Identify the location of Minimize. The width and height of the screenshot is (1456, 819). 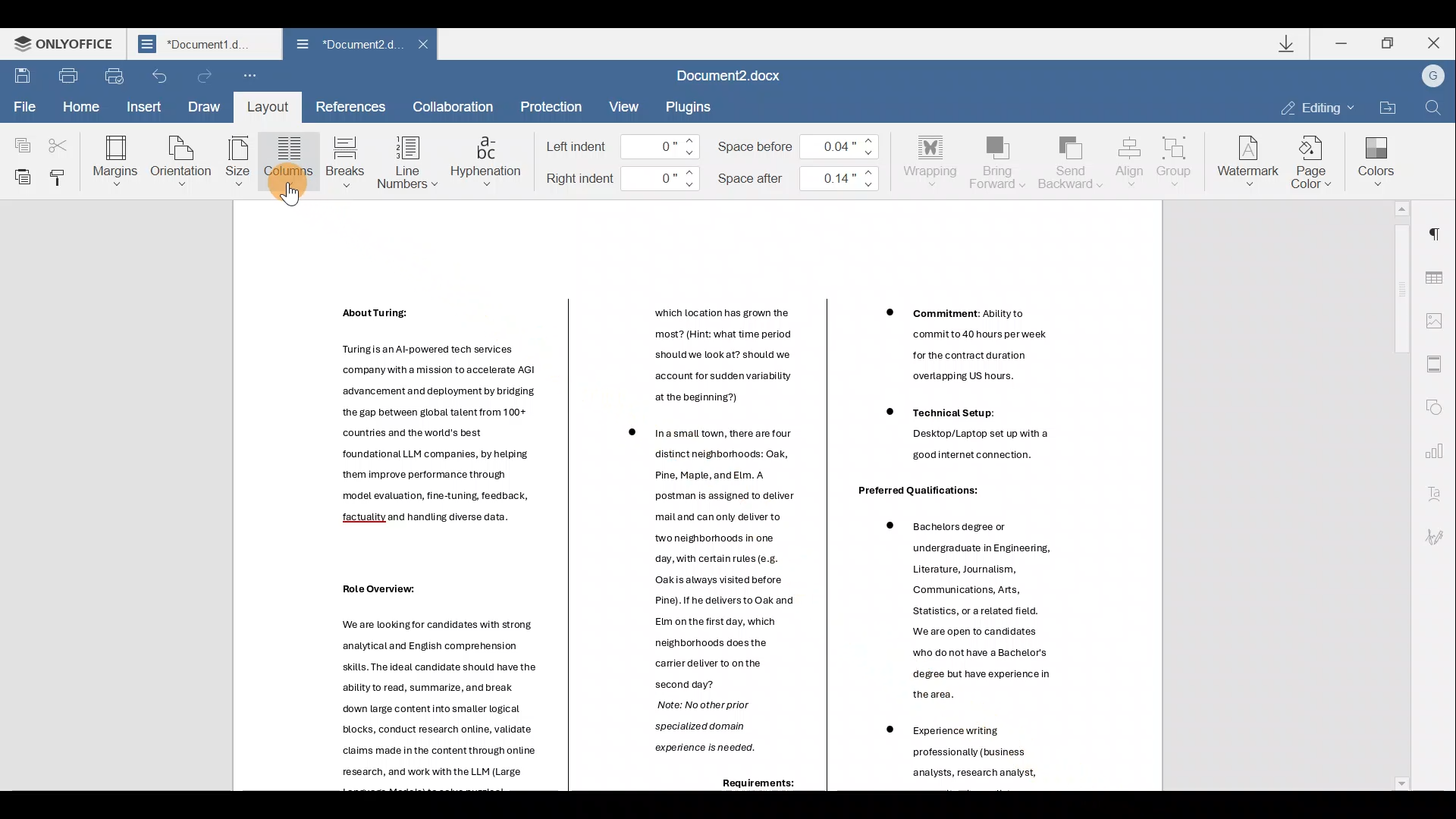
(1344, 42).